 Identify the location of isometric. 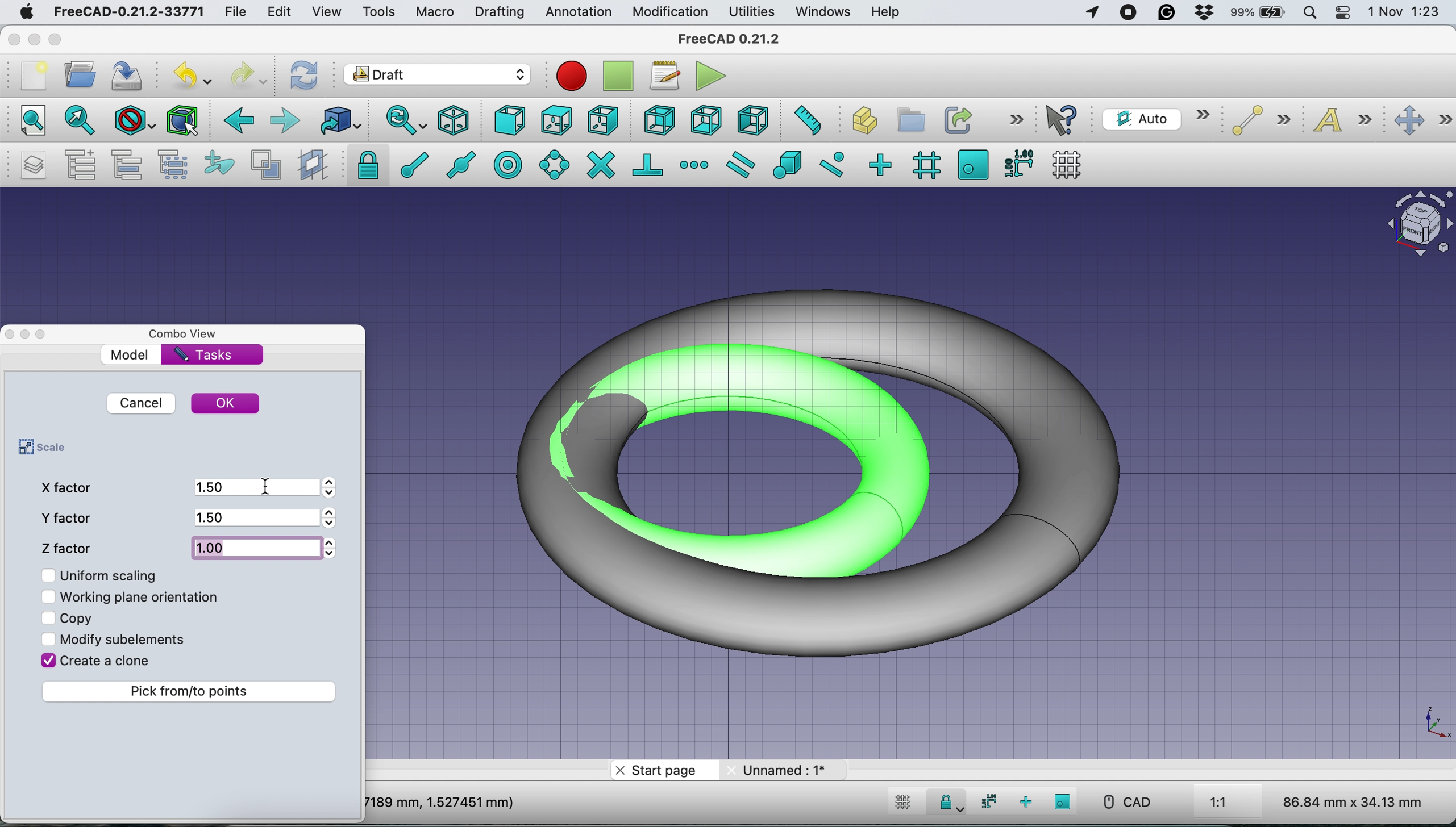
(455, 120).